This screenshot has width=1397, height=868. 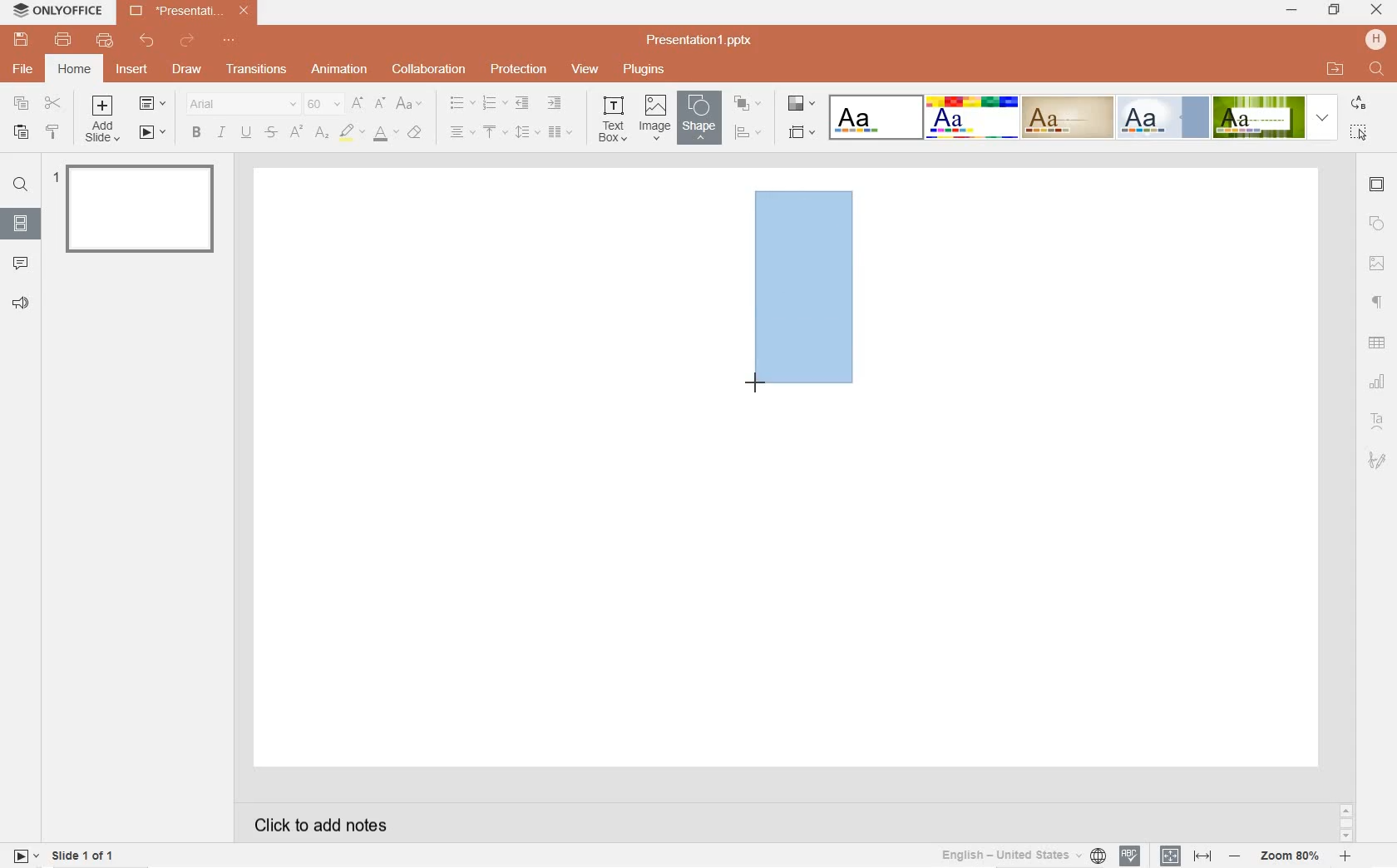 I want to click on numbering, so click(x=493, y=104).